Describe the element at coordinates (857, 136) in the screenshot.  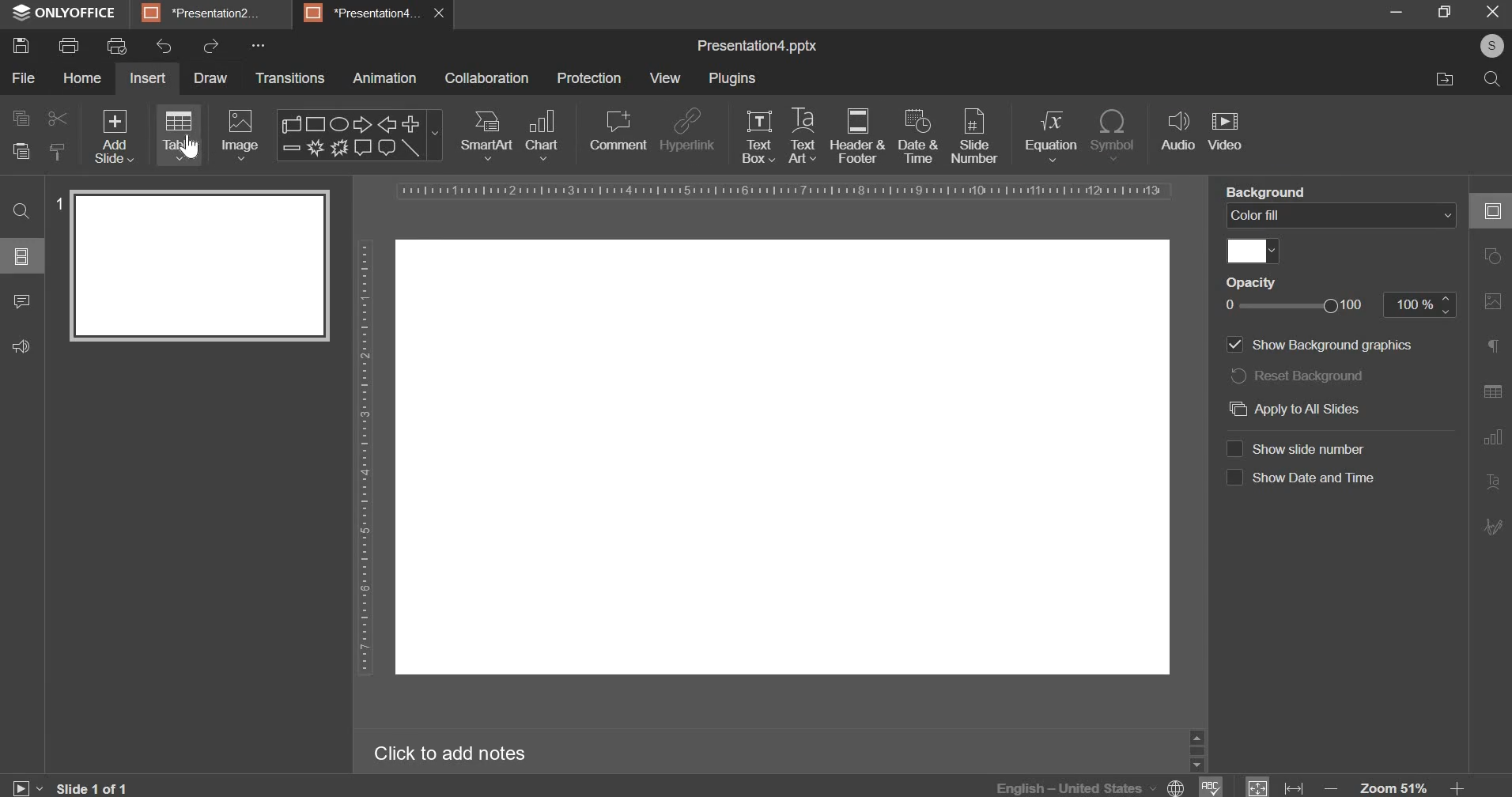
I see `header & footer` at that location.